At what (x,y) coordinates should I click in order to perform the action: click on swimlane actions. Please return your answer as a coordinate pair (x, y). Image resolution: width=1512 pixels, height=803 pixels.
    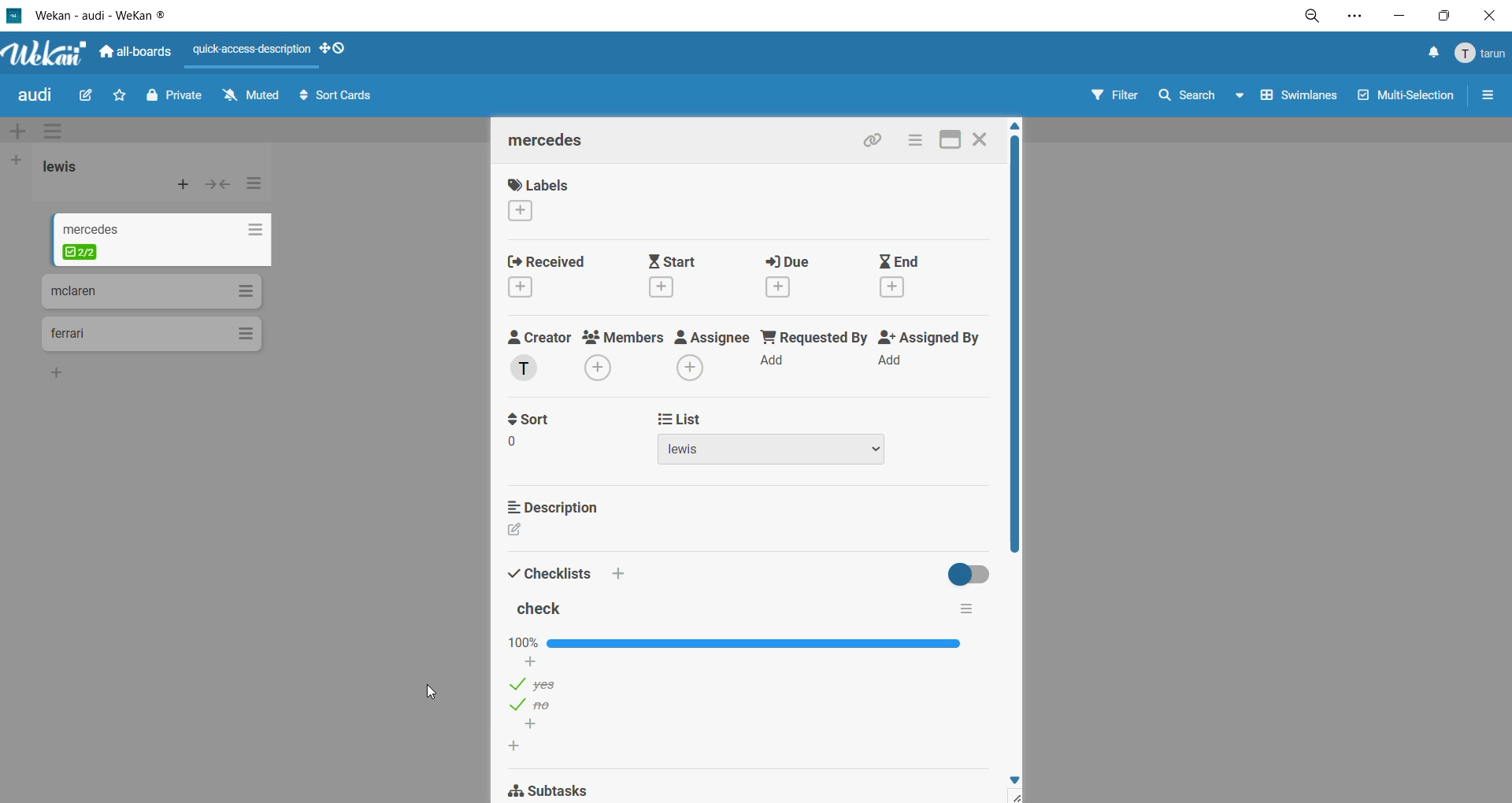
    Looking at the image, I should click on (50, 128).